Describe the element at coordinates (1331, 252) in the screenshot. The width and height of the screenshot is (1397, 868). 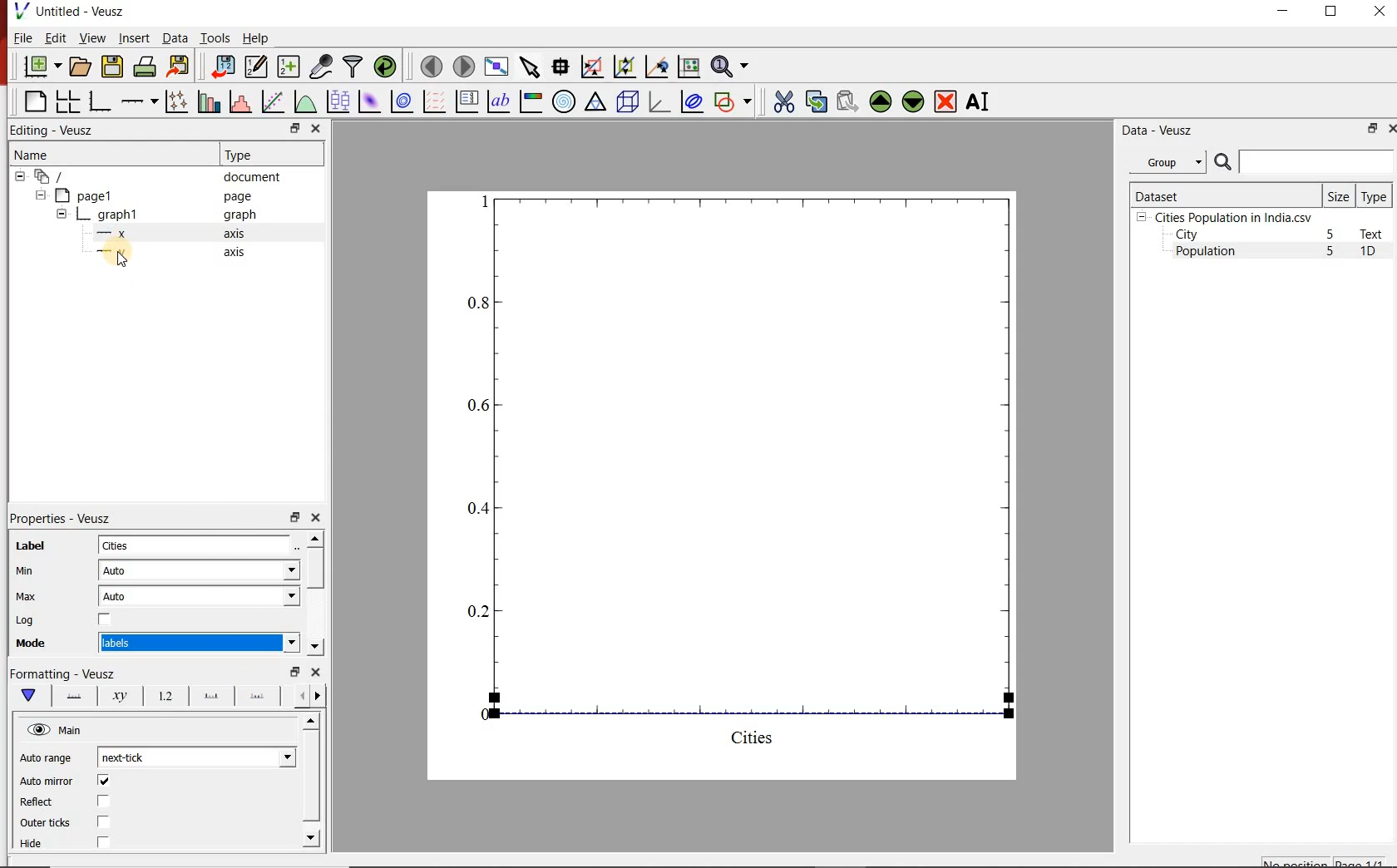
I see `5` at that location.